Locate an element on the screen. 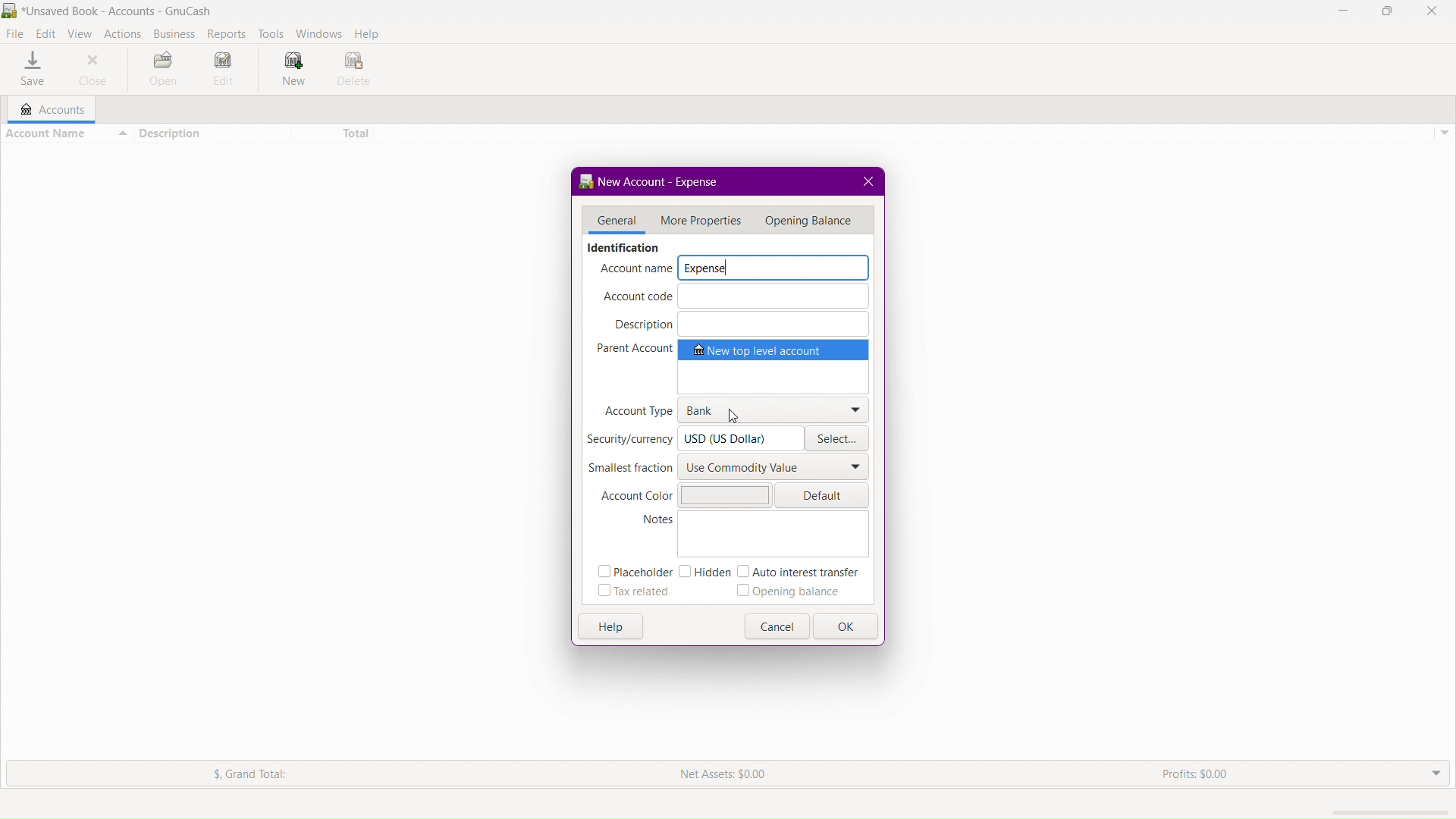  Reports is located at coordinates (224, 32).